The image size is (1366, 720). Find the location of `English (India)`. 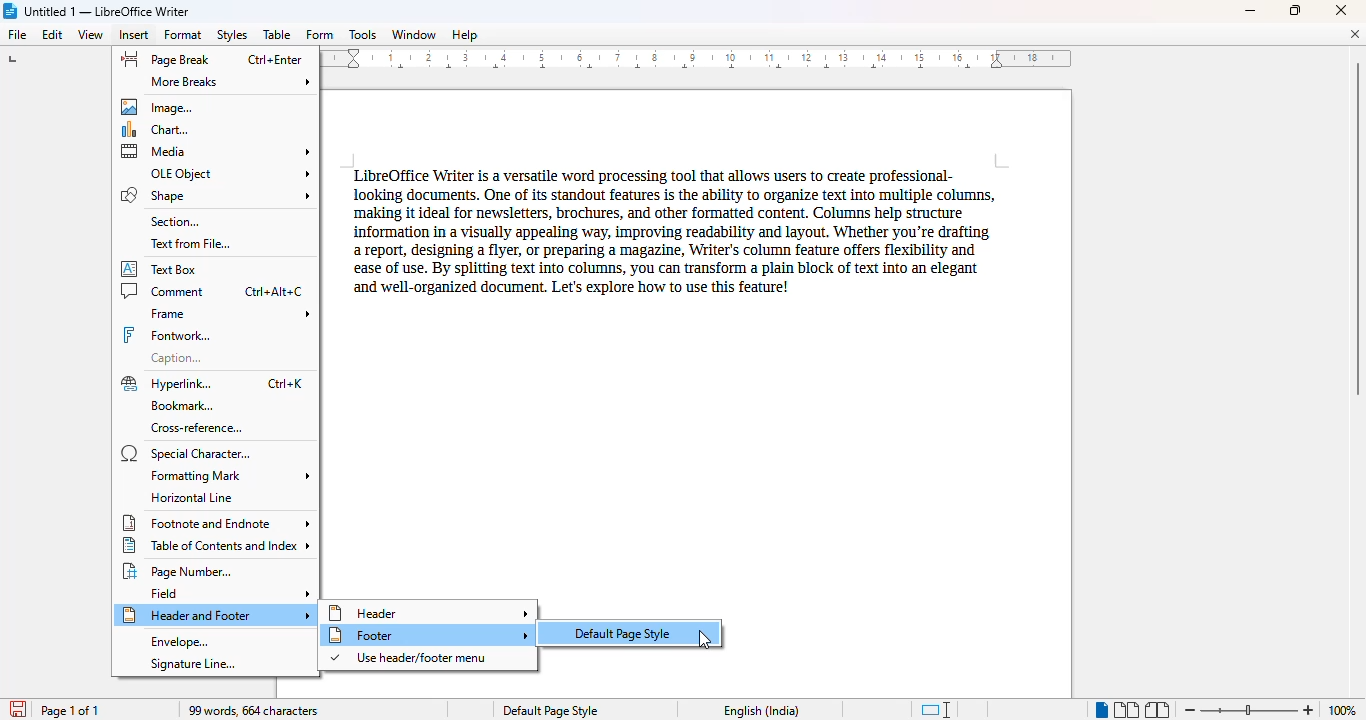

English (India) is located at coordinates (762, 711).